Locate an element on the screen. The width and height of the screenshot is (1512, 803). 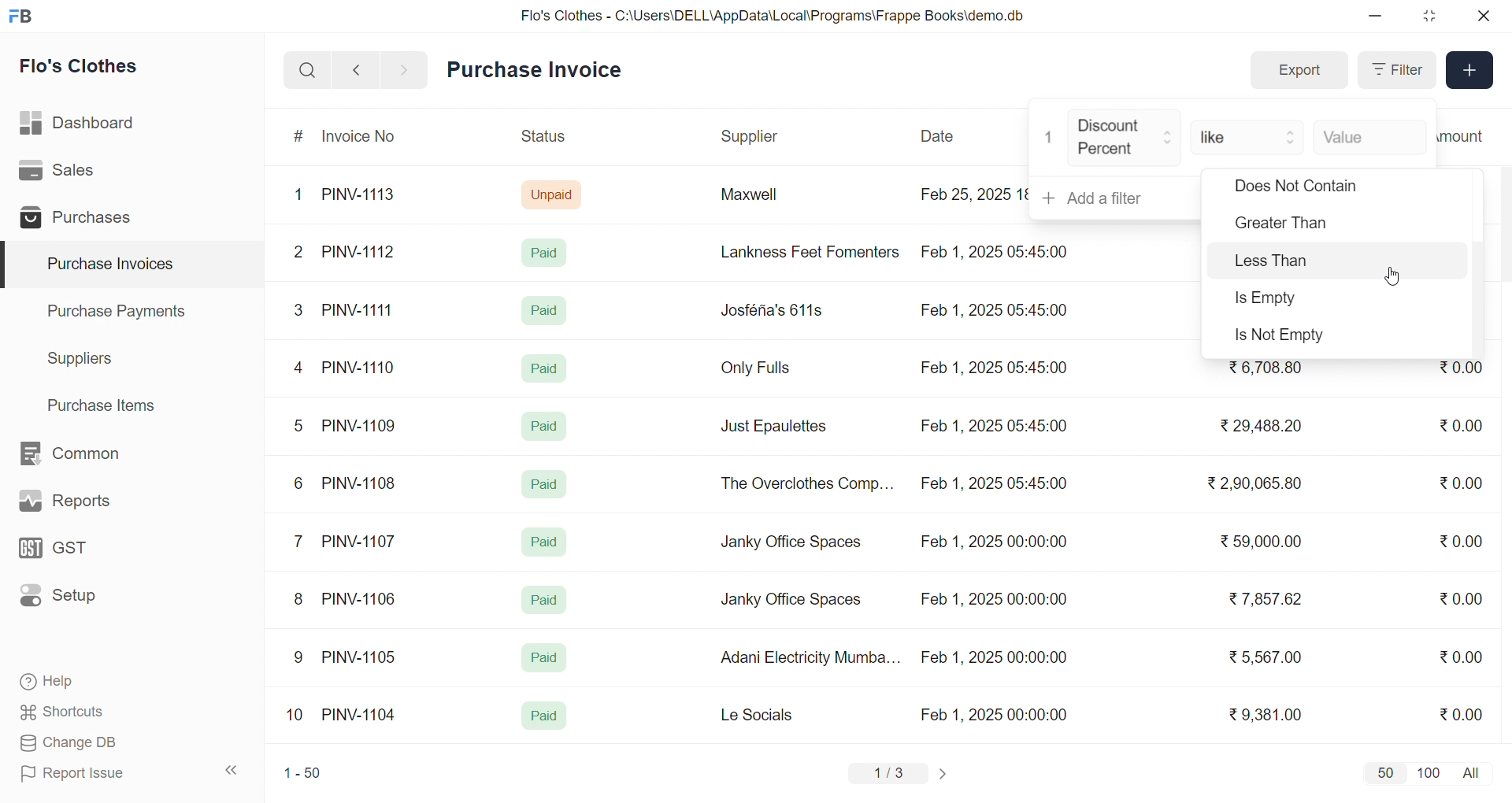
10 is located at coordinates (298, 716).